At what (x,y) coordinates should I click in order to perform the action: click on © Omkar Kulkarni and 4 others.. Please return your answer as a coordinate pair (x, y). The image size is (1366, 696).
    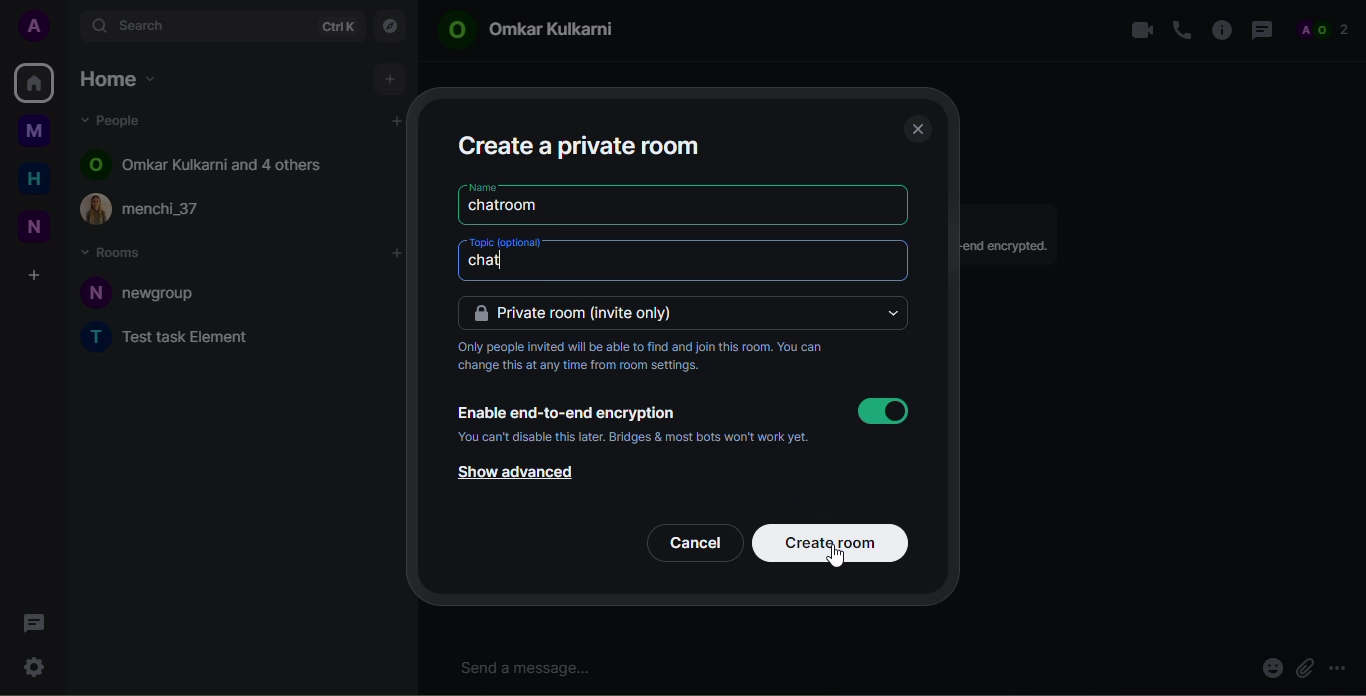
    Looking at the image, I should click on (217, 165).